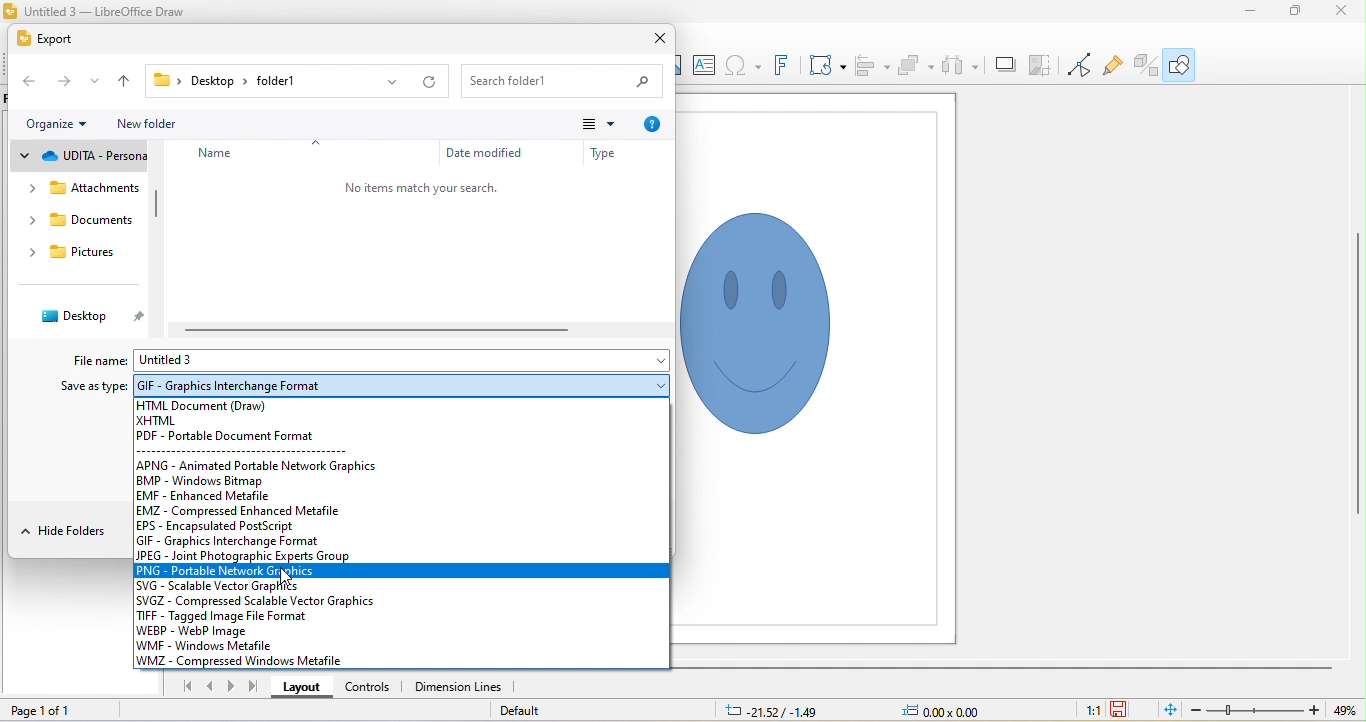  Describe the element at coordinates (89, 252) in the screenshot. I see `pictures` at that location.